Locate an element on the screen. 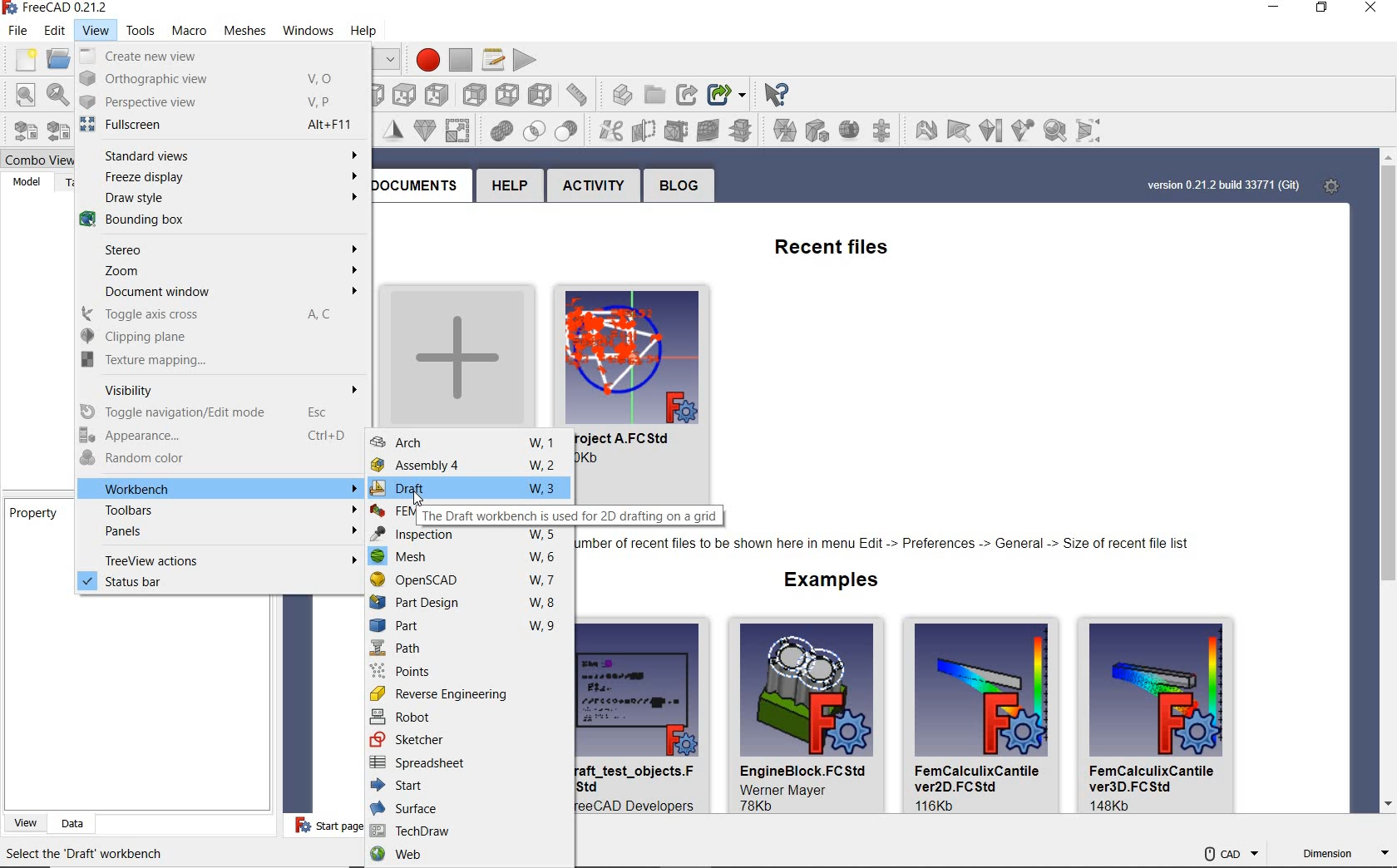 This screenshot has height=868, width=1397. bounding box is located at coordinates (213, 223).